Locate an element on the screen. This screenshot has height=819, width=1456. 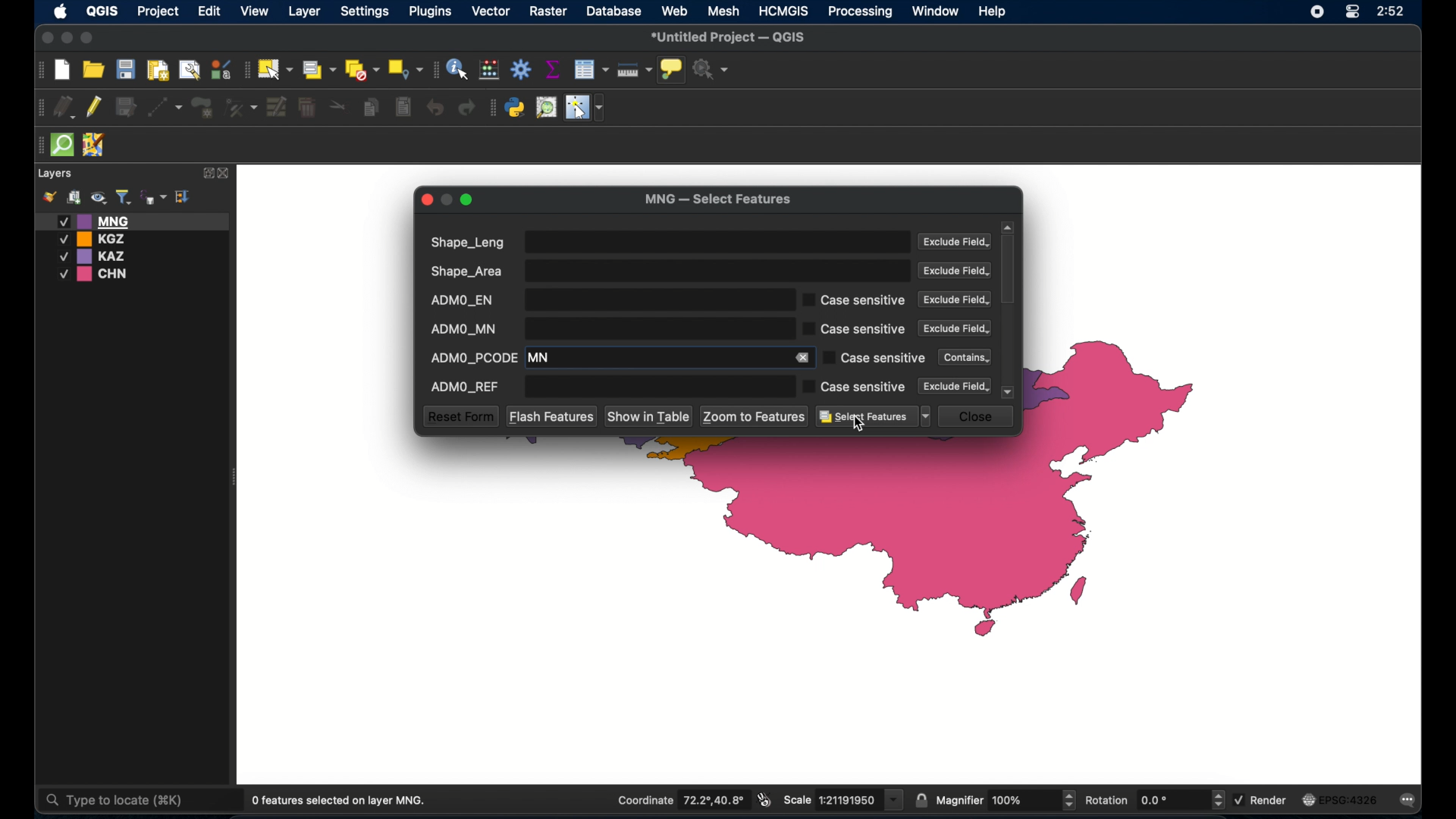
undo is located at coordinates (434, 108).